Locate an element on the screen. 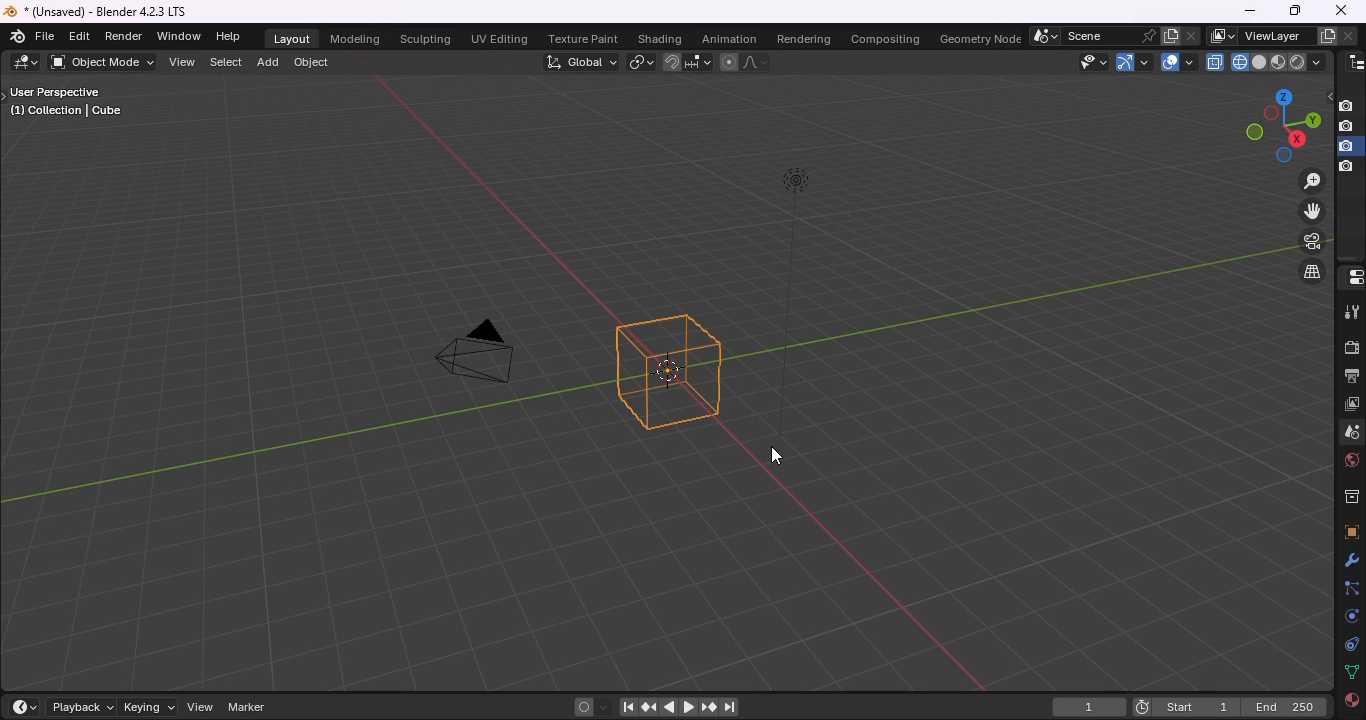 The height and width of the screenshot is (720, 1366). rendering is located at coordinates (806, 41).